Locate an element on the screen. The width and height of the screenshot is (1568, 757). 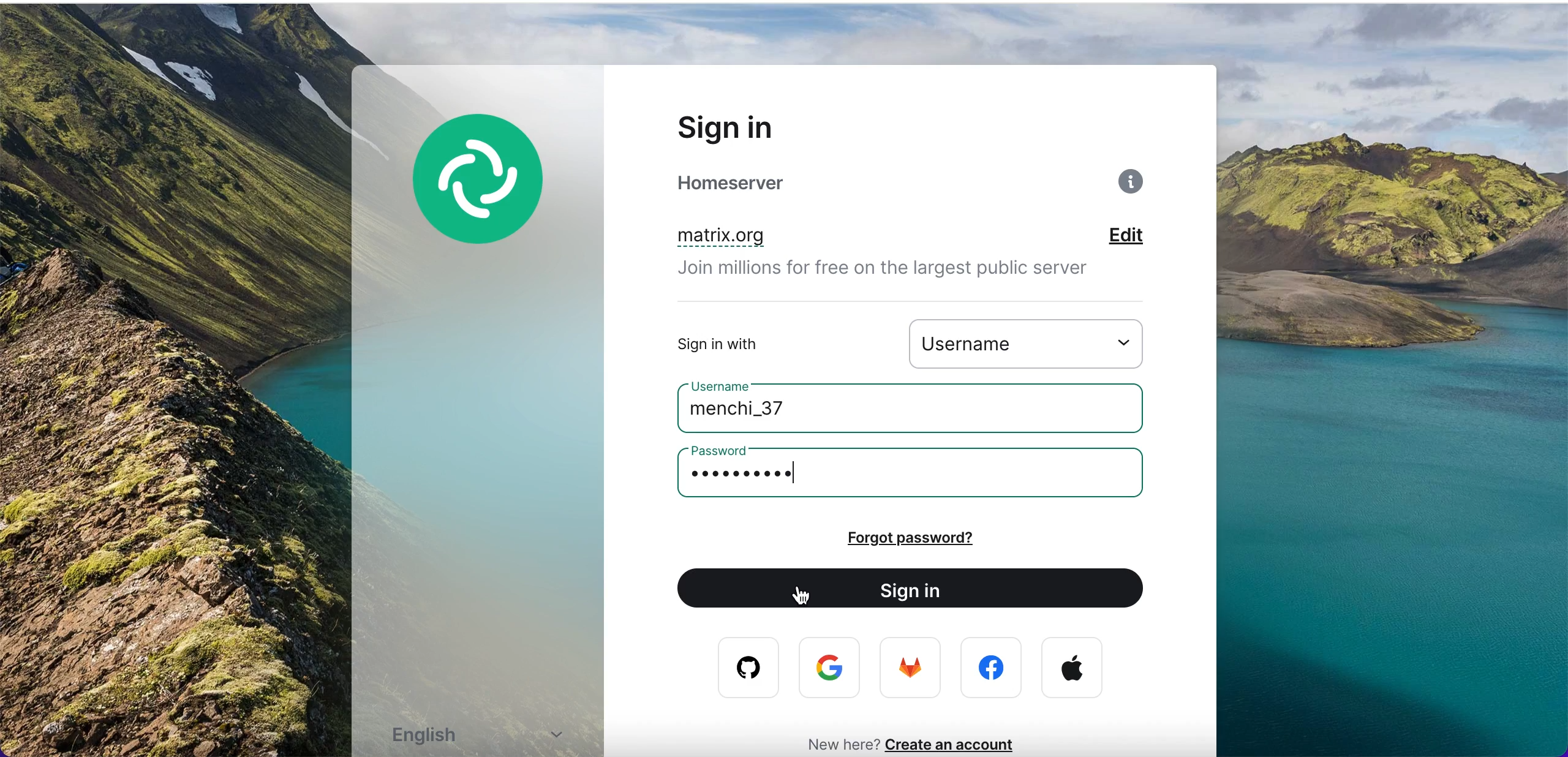
sign in is located at coordinates (758, 127).